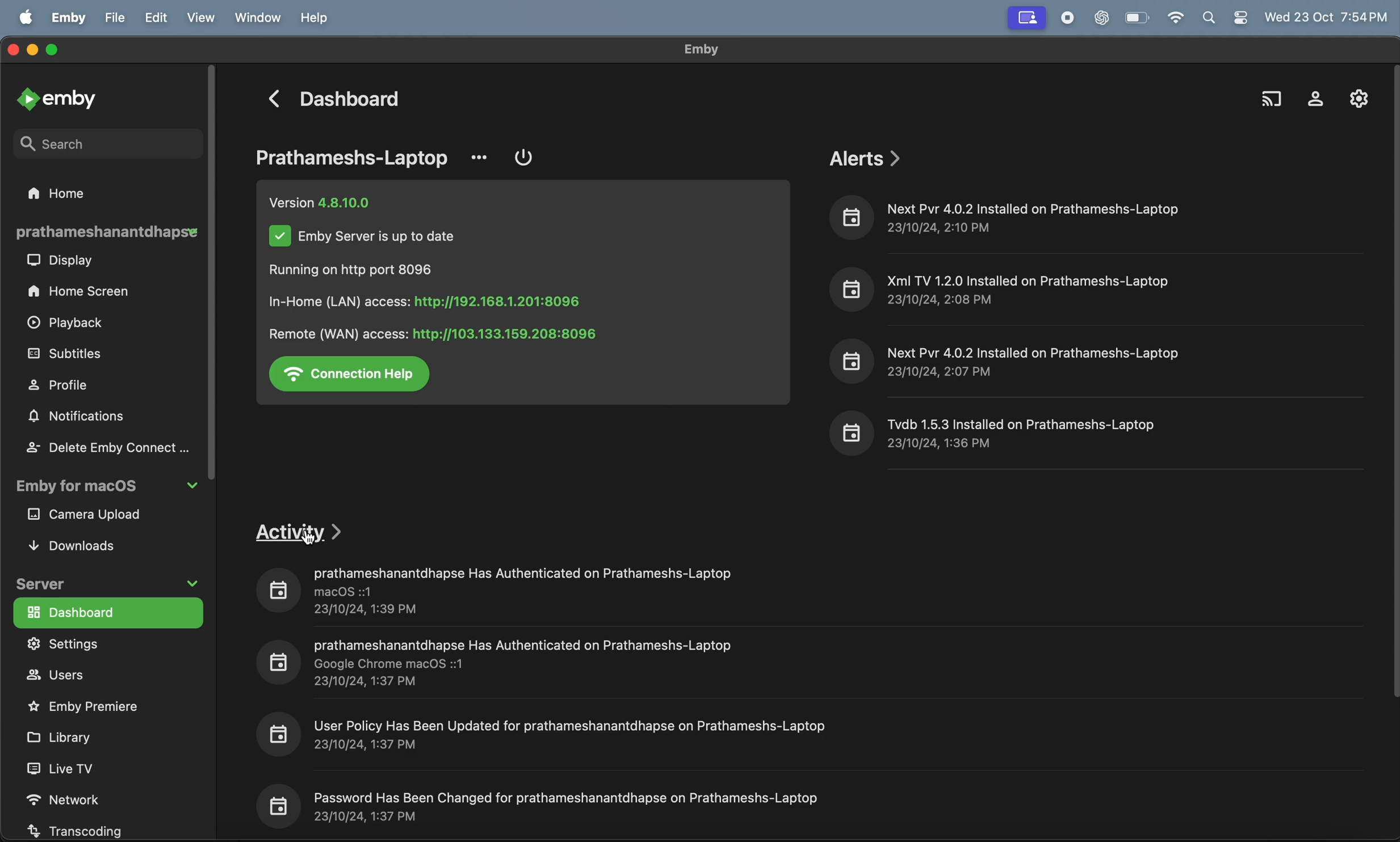 The width and height of the screenshot is (1400, 842). I want to click on search, so click(1271, 94).